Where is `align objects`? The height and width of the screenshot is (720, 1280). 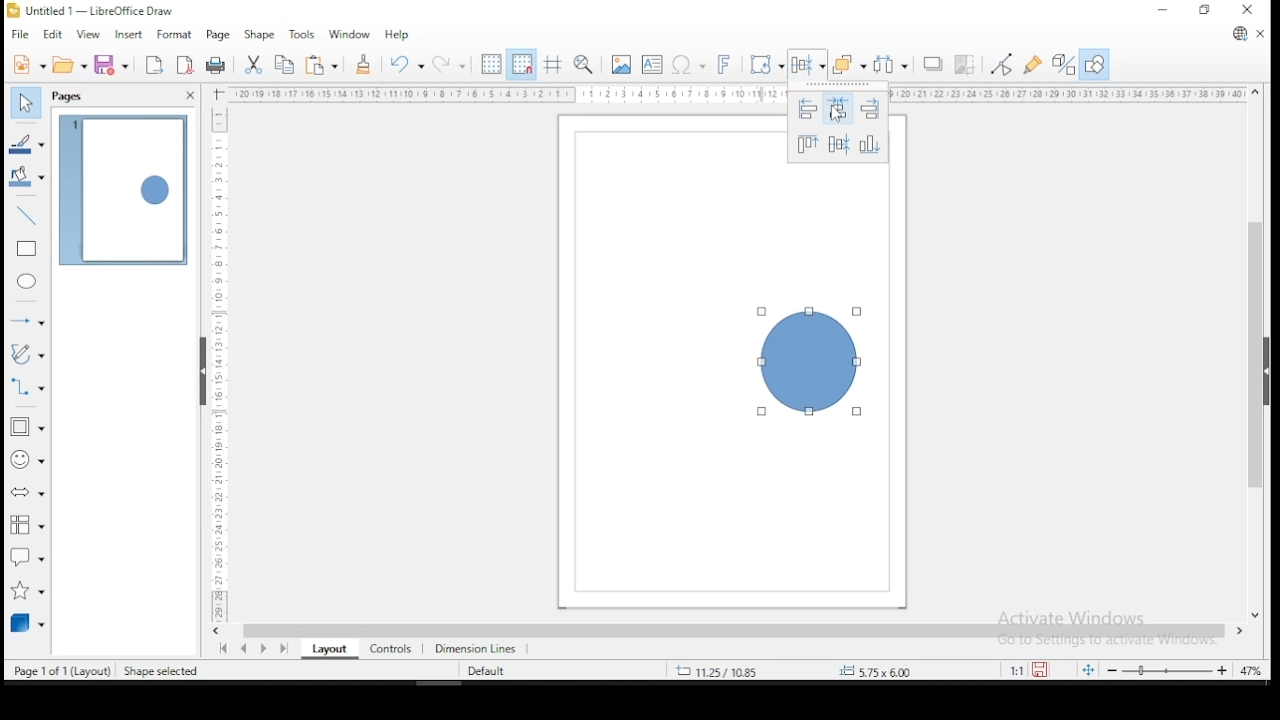
align objects is located at coordinates (806, 65).